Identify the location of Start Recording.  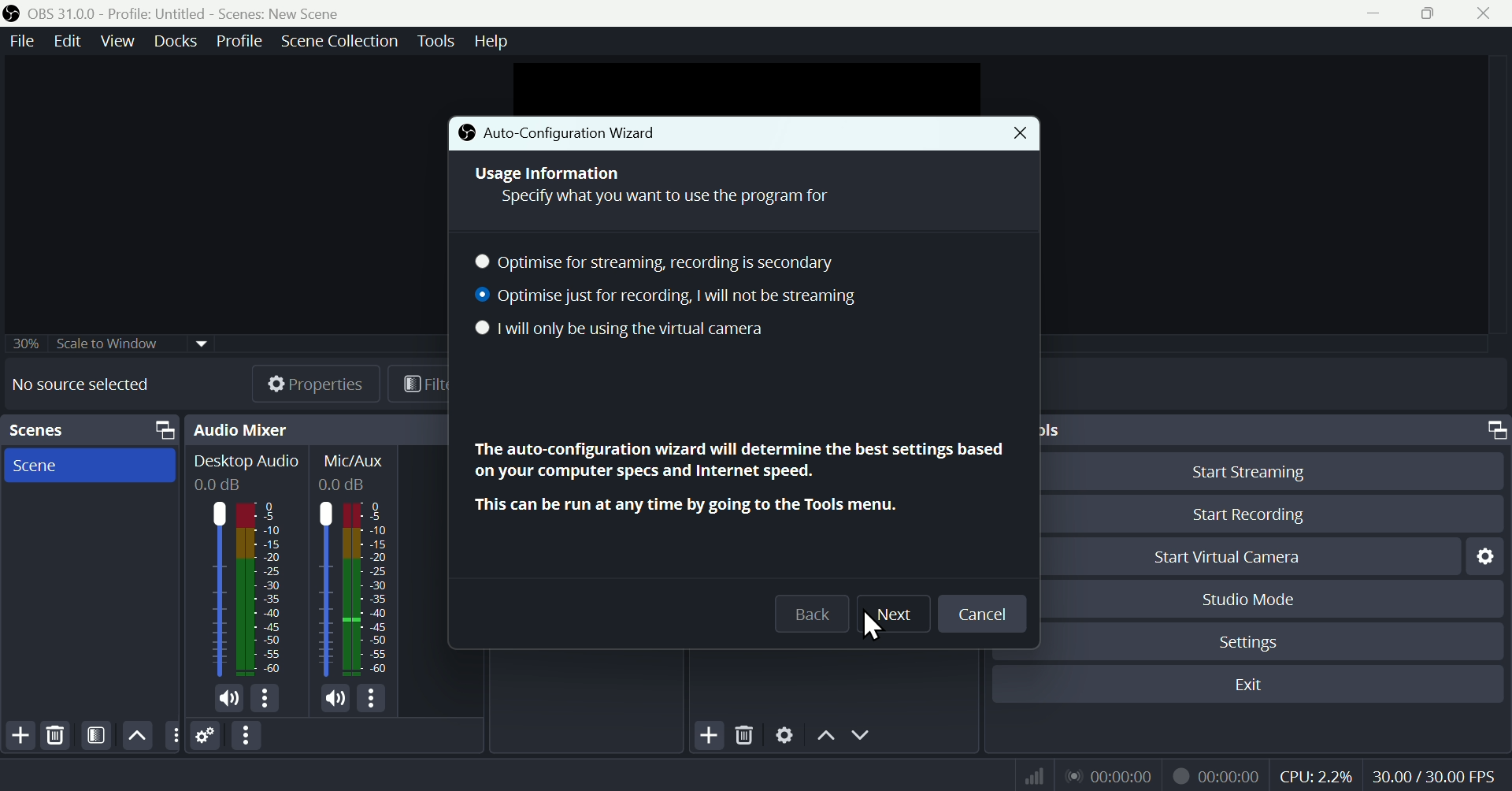
(1270, 514).